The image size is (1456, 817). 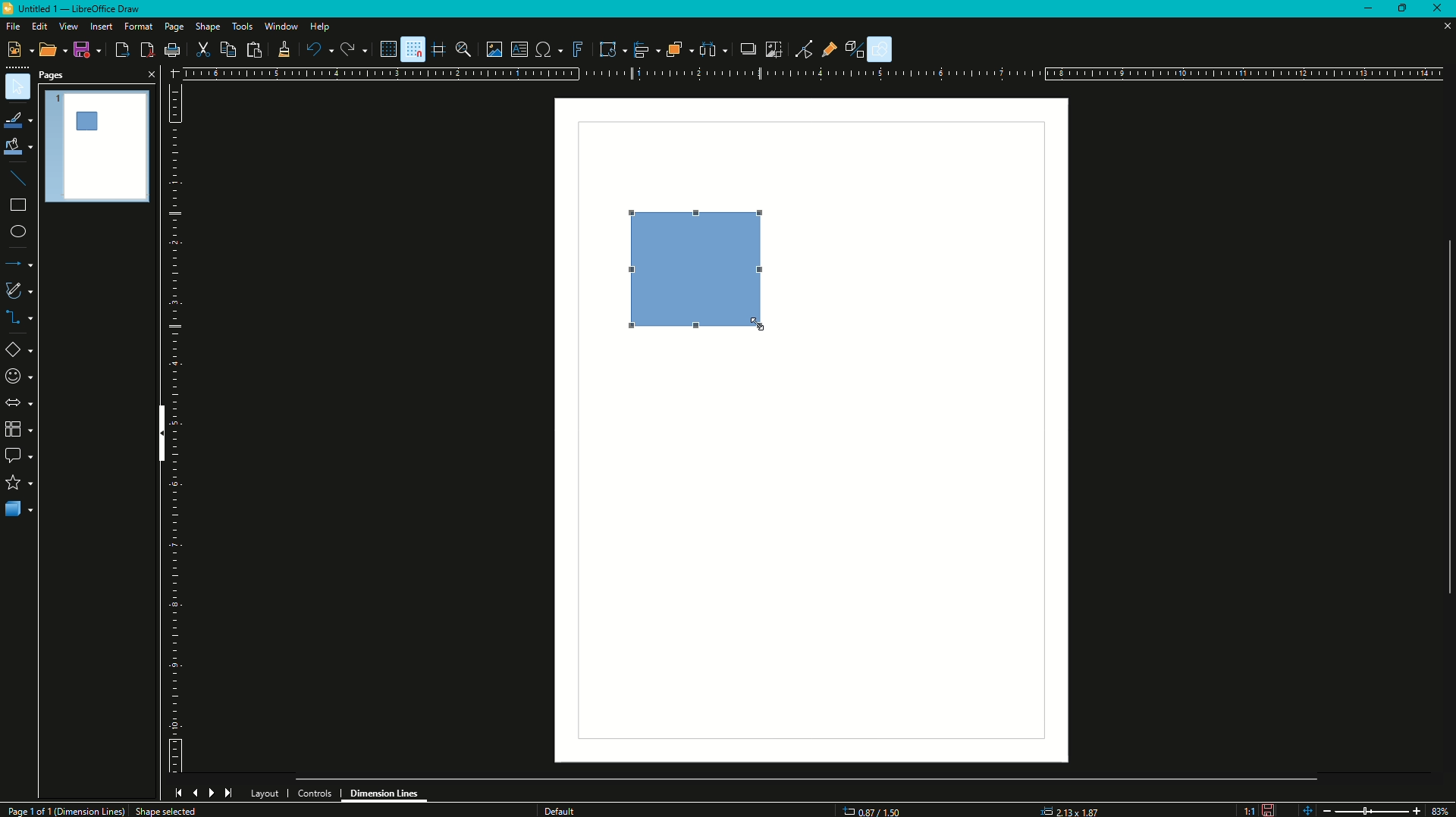 I want to click on Select, so click(x=18, y=87).